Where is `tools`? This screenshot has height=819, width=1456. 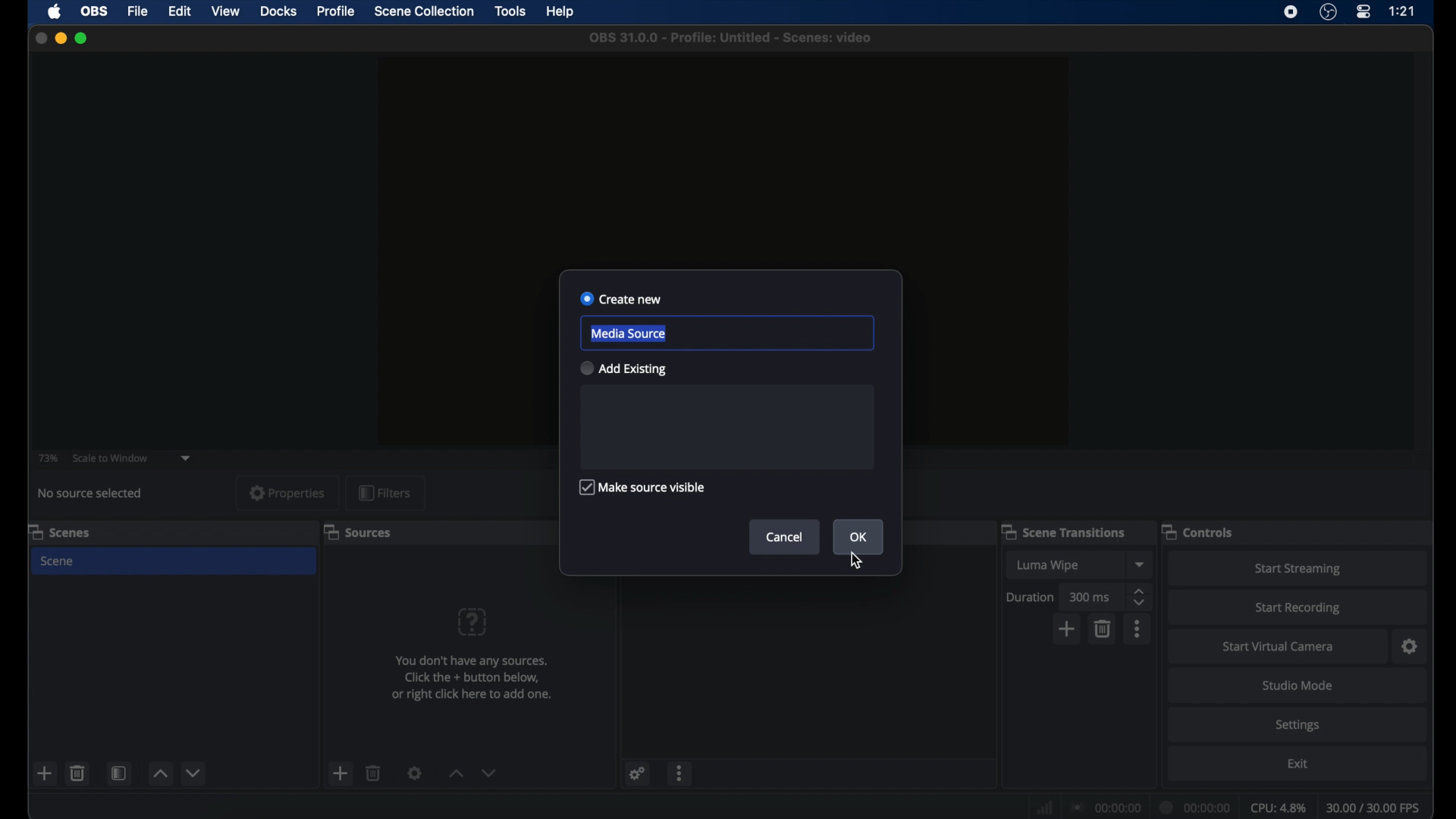
tools is located at coordinates (510, 11).